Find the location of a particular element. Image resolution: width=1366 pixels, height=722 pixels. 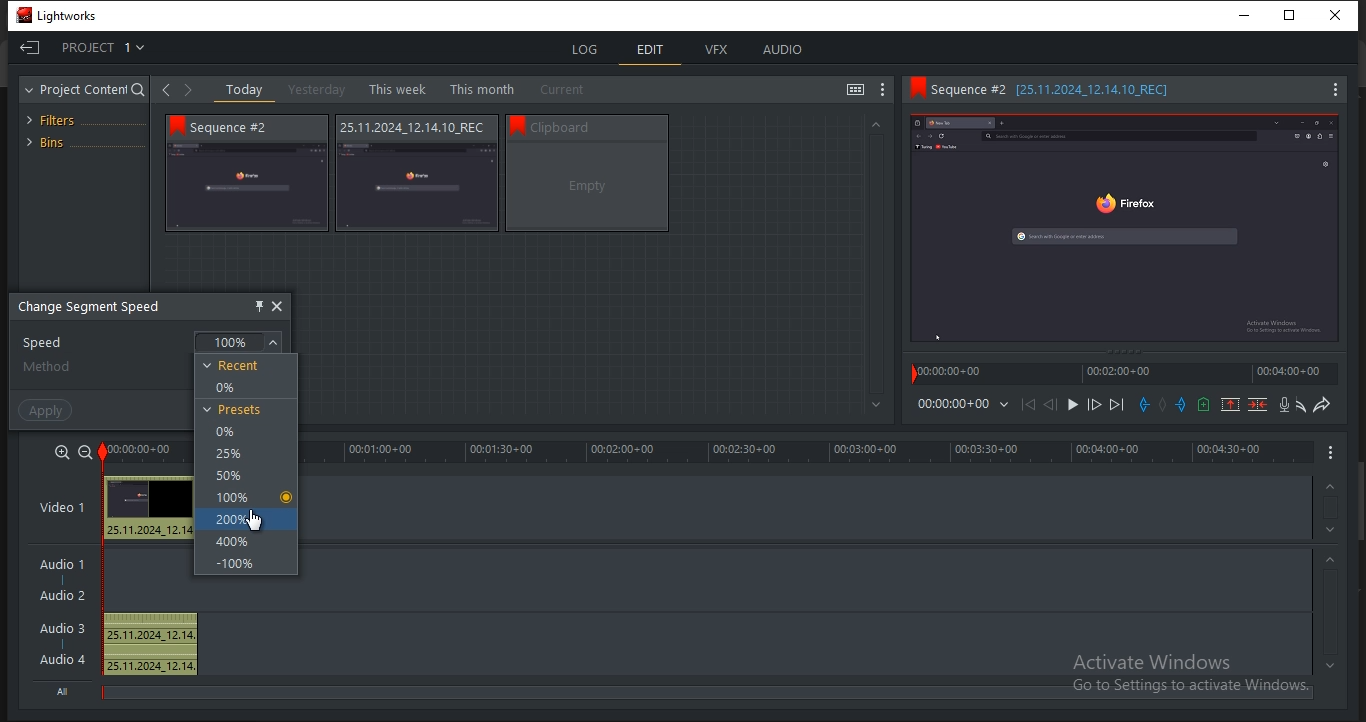

timeline is located at coordinates (147, 454).